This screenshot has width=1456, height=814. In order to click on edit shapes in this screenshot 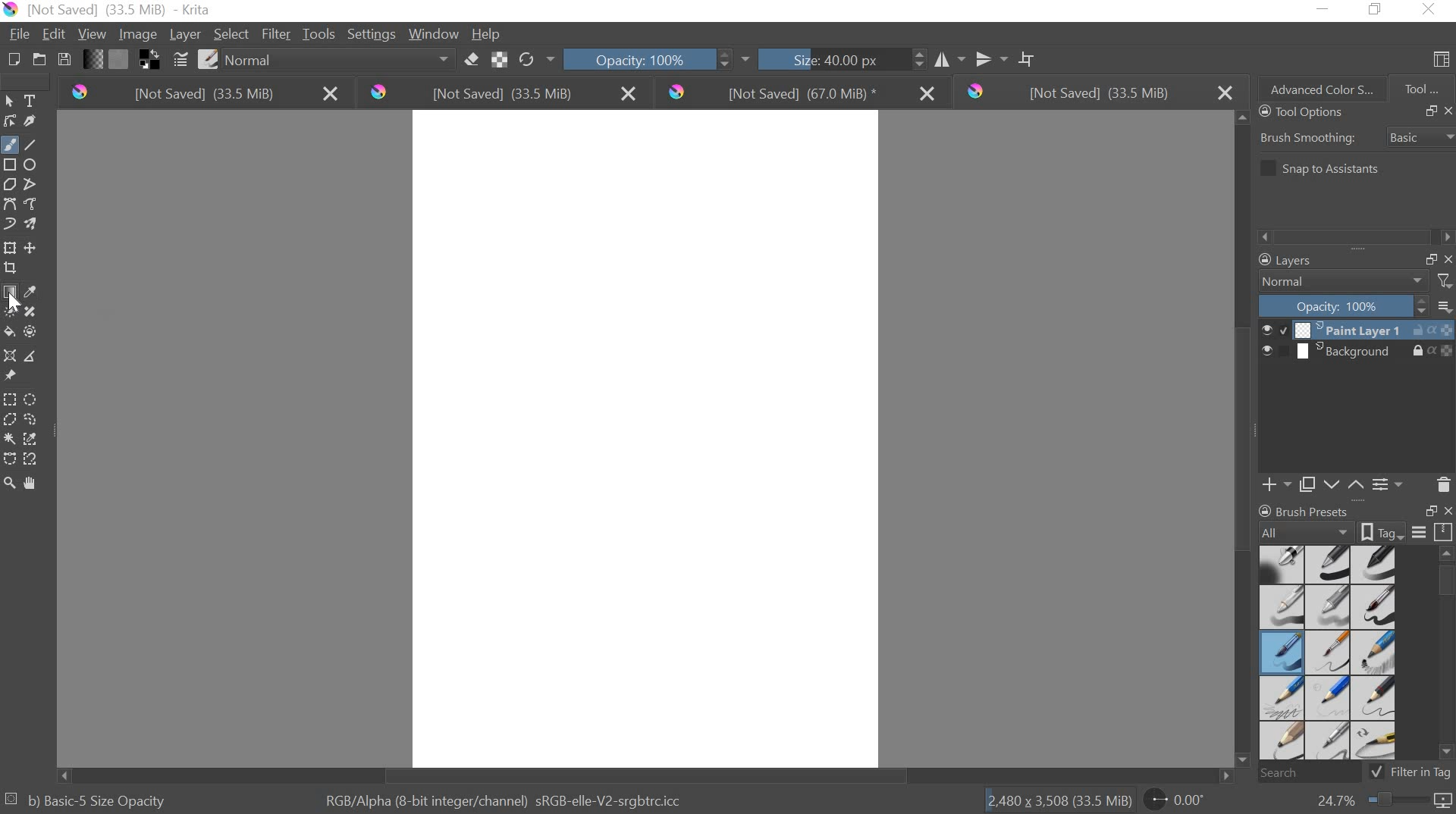, I will do `click(12, 121)`.